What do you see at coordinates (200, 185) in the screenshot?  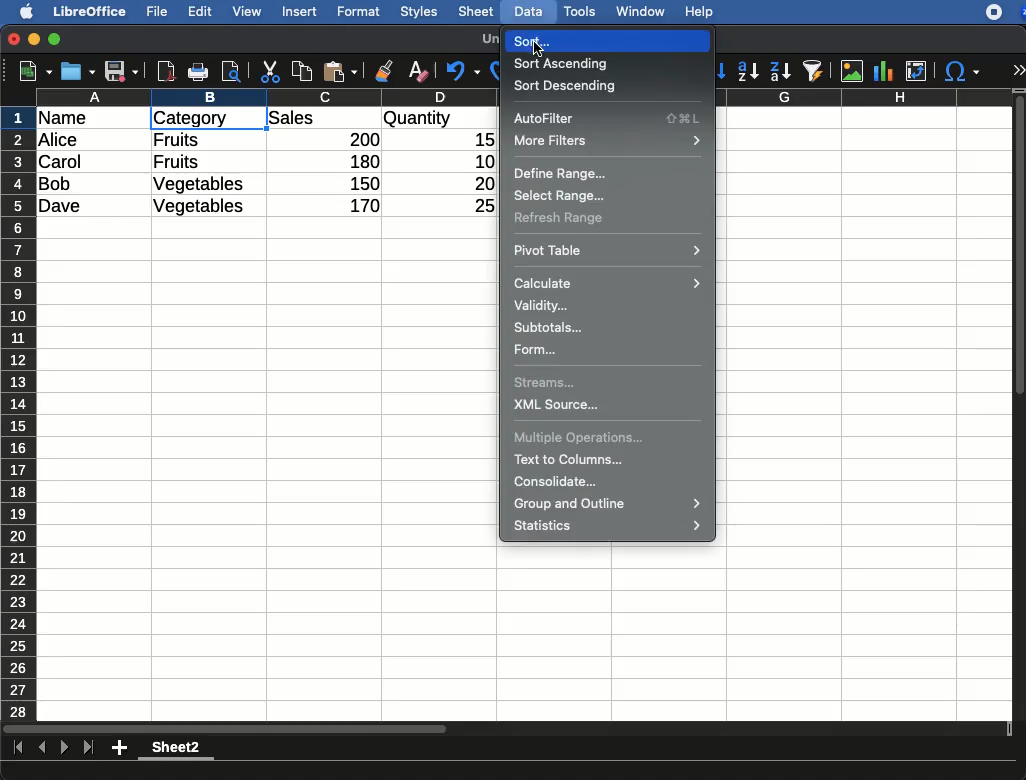 I see `Vegetables` at bounding box center [200, 185].